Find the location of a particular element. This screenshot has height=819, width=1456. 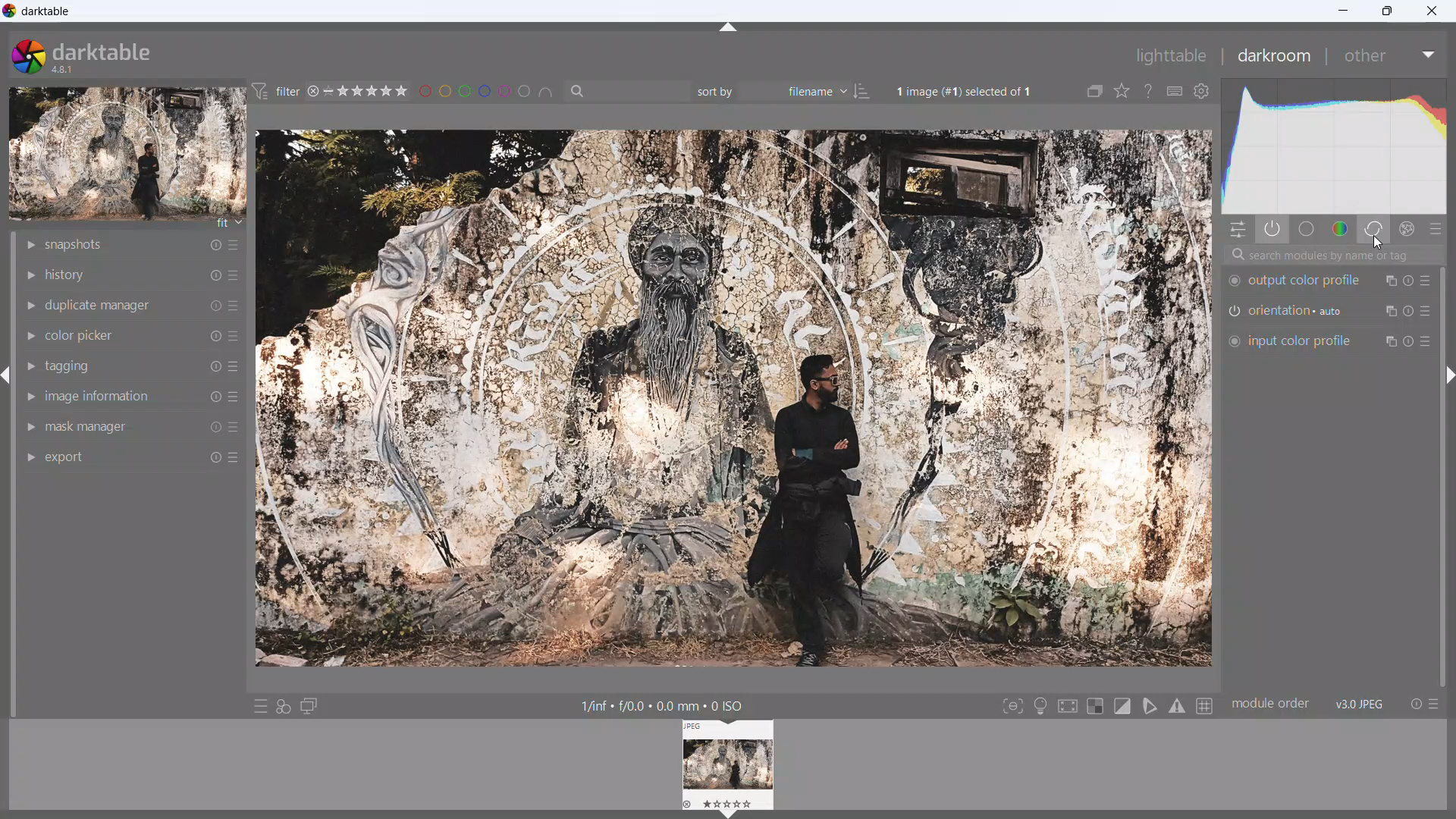

reset is located at coordinates (215, 429).